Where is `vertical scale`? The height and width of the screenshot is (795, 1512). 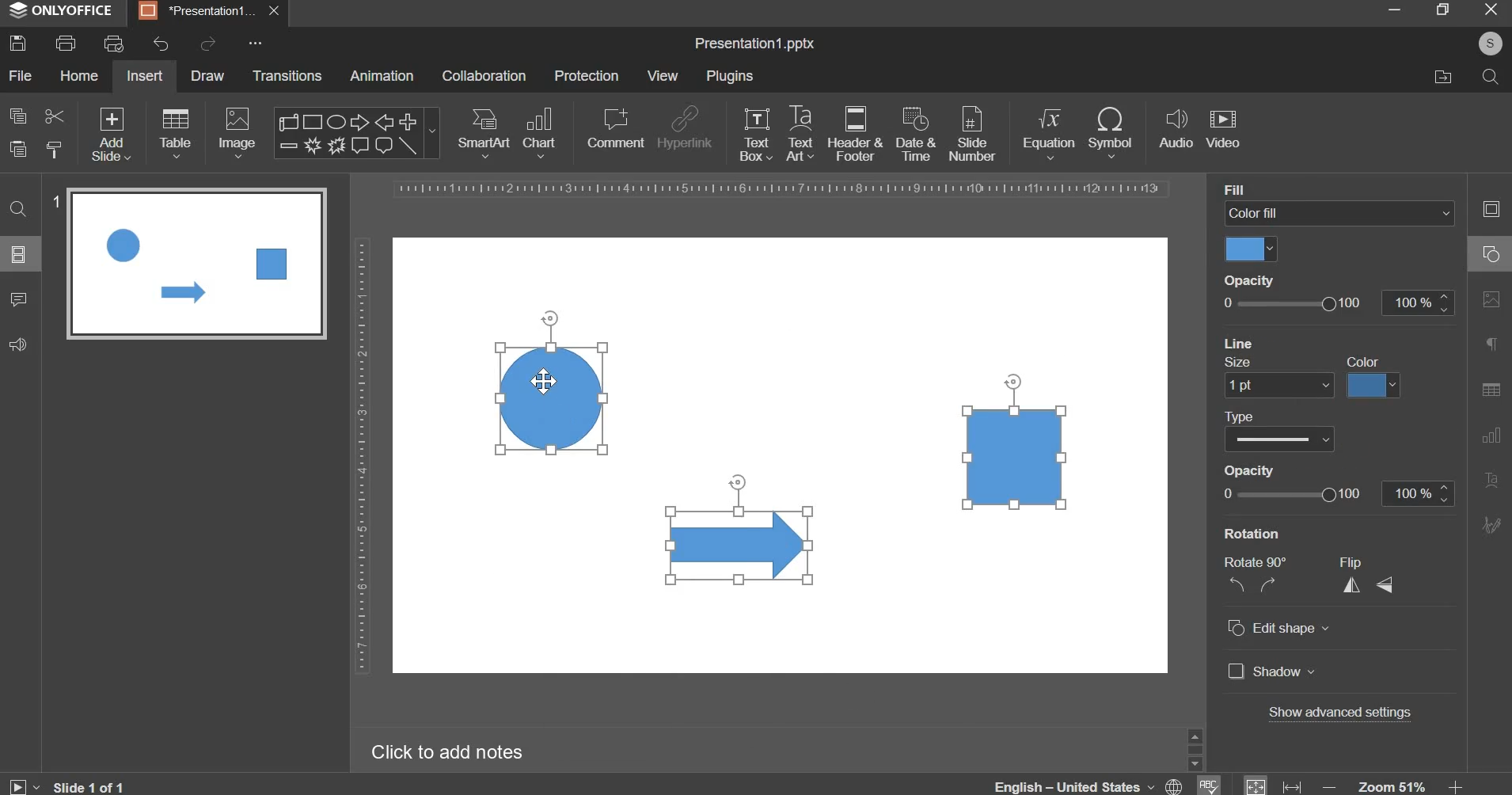
vertical scale is located at coordinates (361, 455).